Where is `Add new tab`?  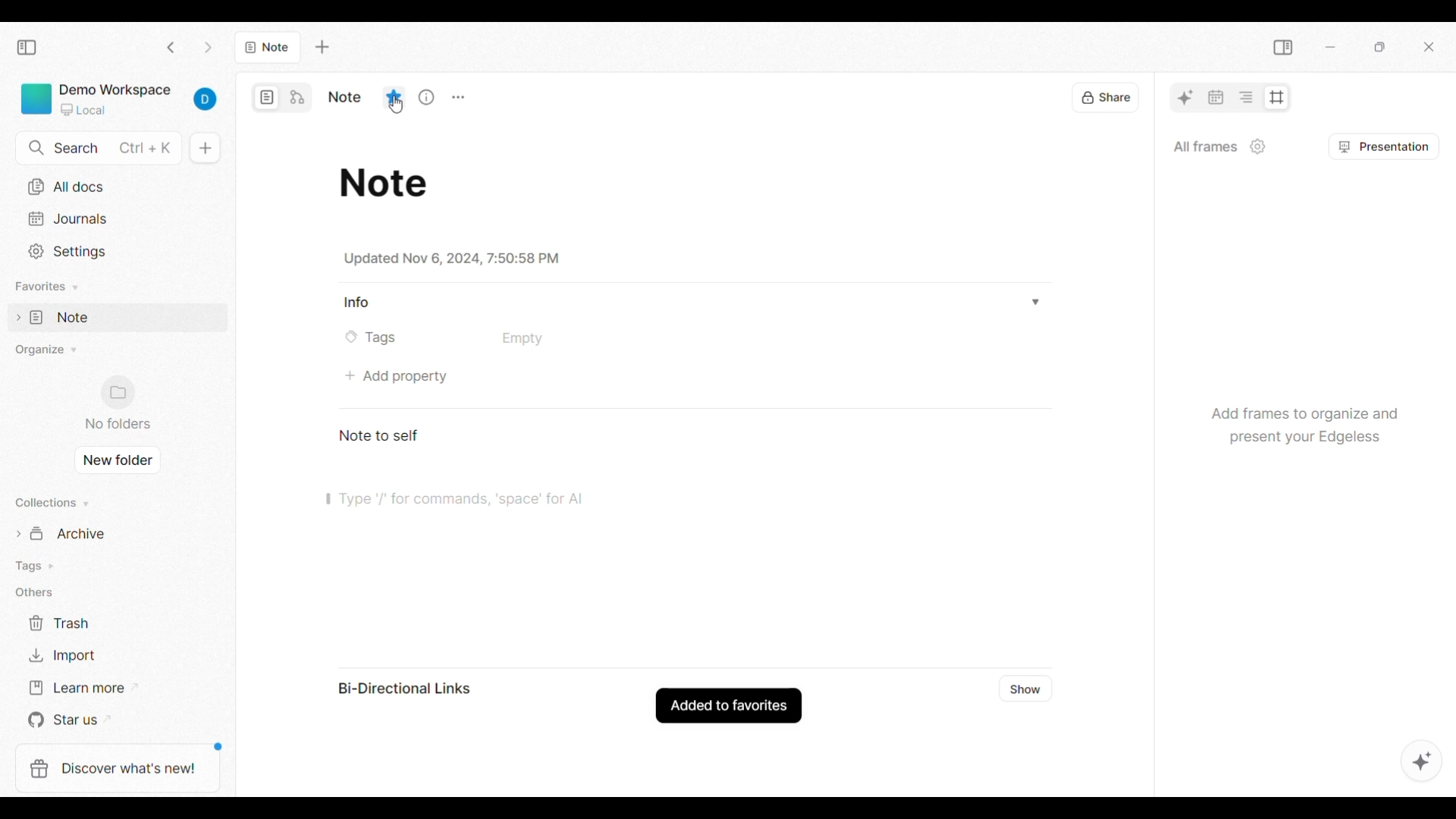
Add new tab is located at coordinates (322, 47).